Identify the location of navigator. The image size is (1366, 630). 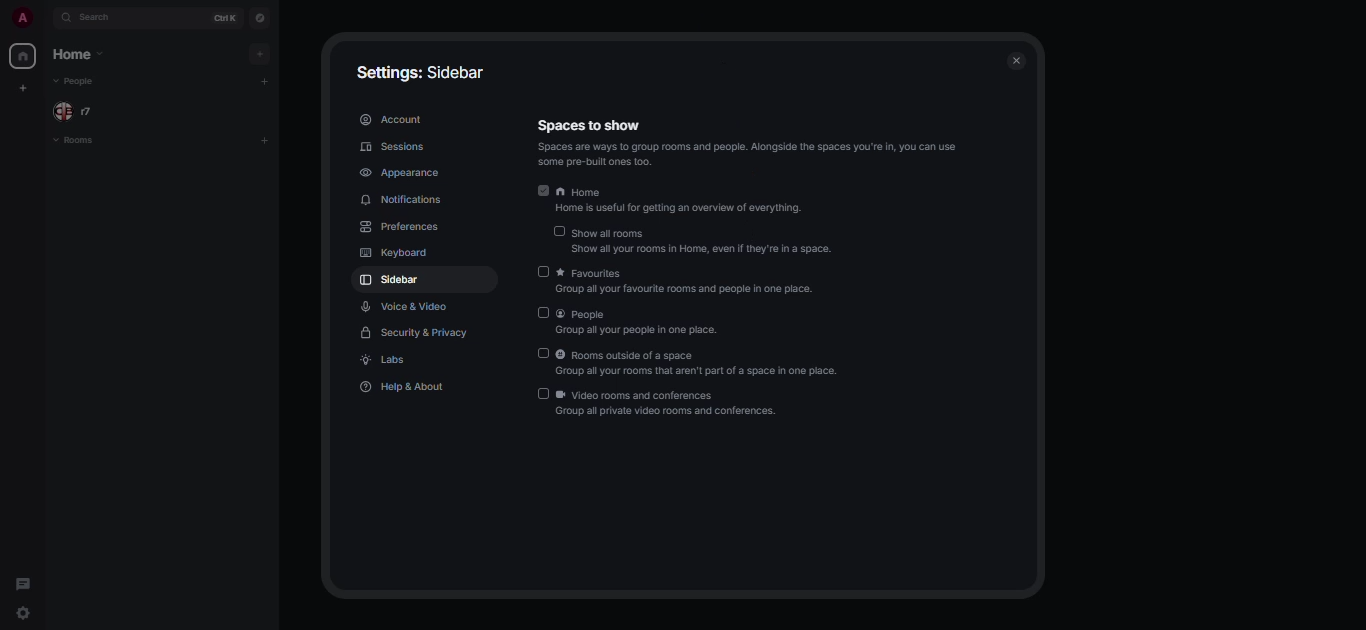
(261, 16).